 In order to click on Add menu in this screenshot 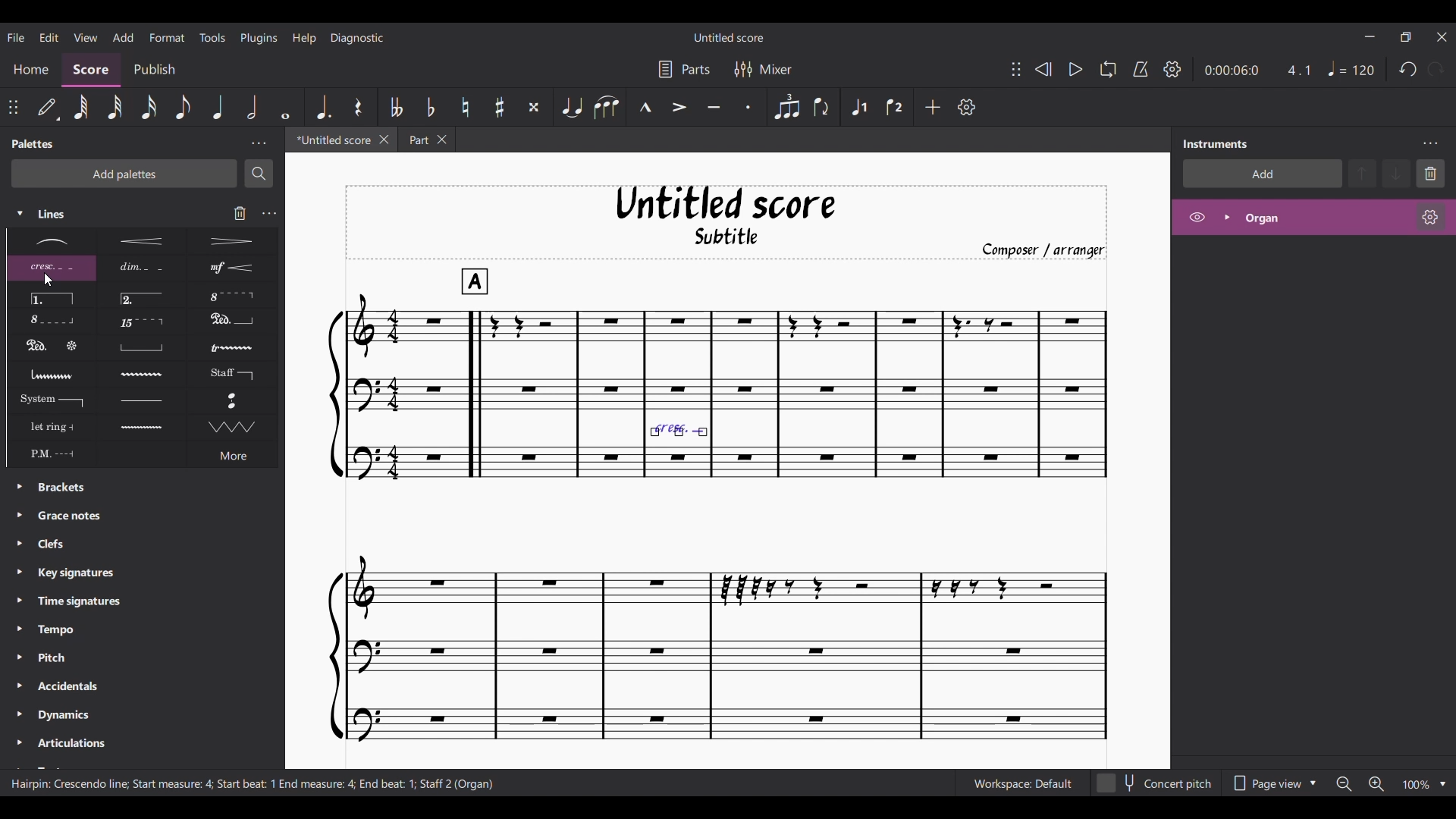, I will do `click(123, 36)`.